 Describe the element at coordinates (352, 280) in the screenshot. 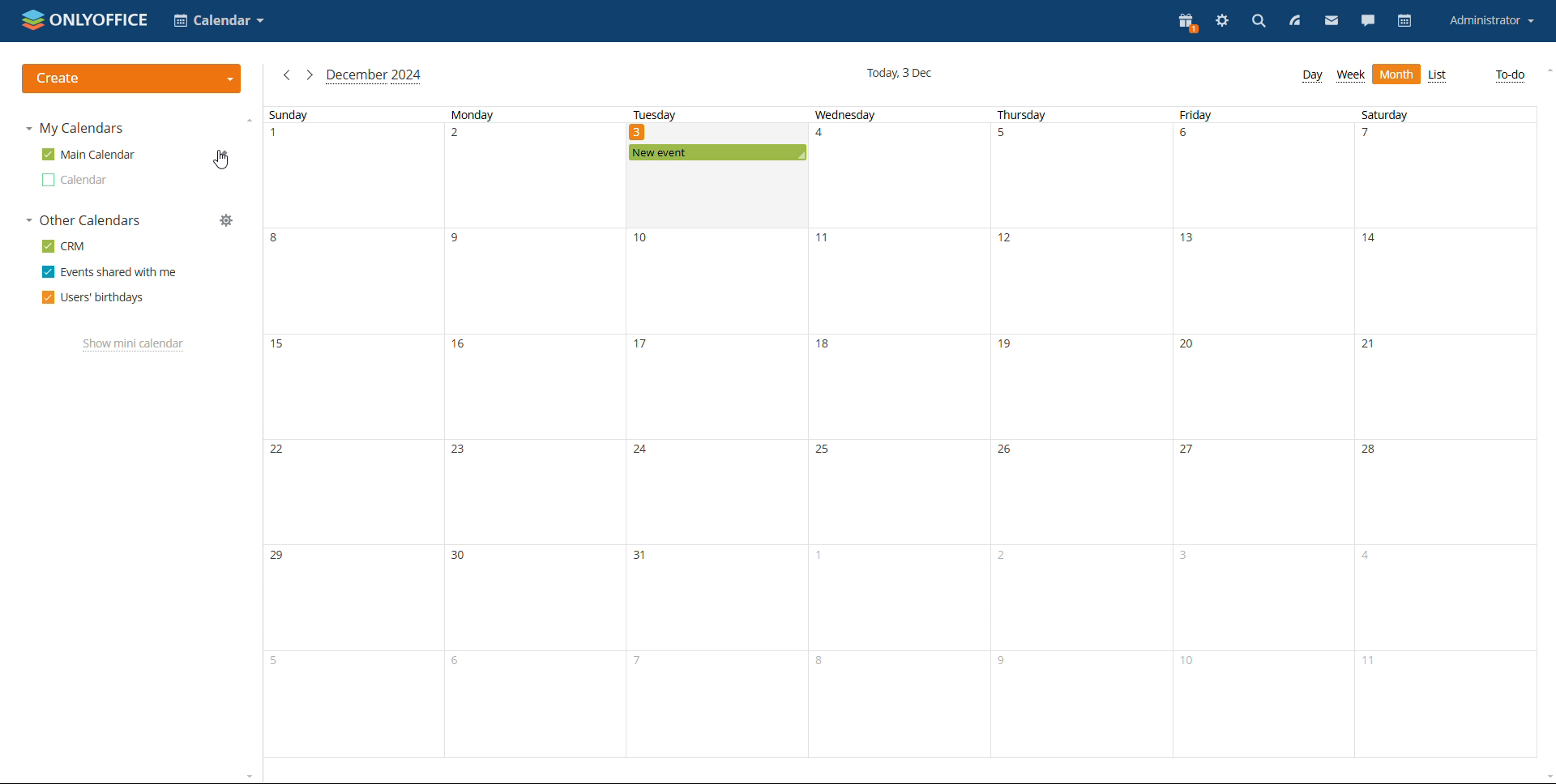

I see `date` at that location.